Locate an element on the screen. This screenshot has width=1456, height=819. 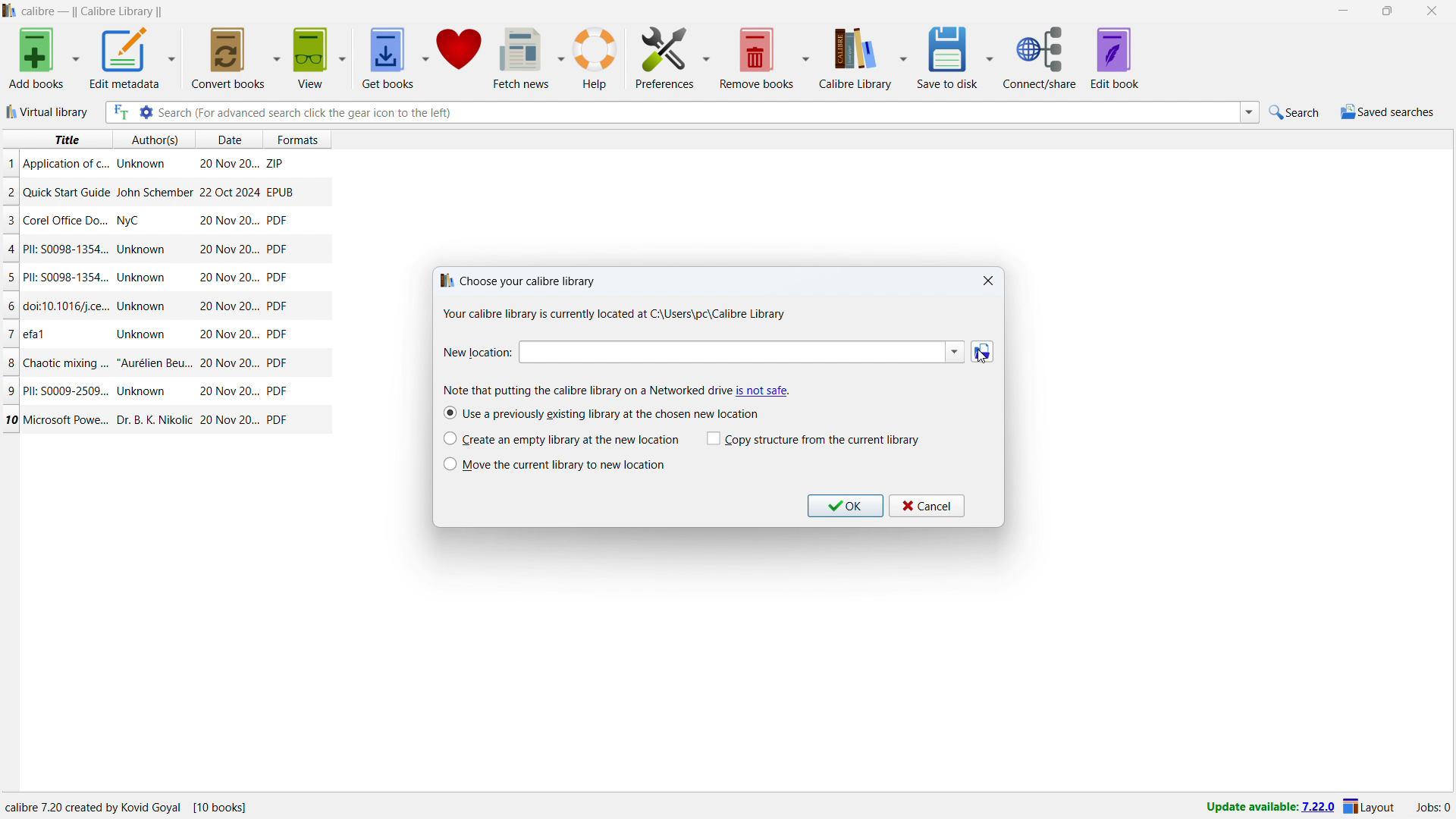
help is located at coordinates (595, 58).